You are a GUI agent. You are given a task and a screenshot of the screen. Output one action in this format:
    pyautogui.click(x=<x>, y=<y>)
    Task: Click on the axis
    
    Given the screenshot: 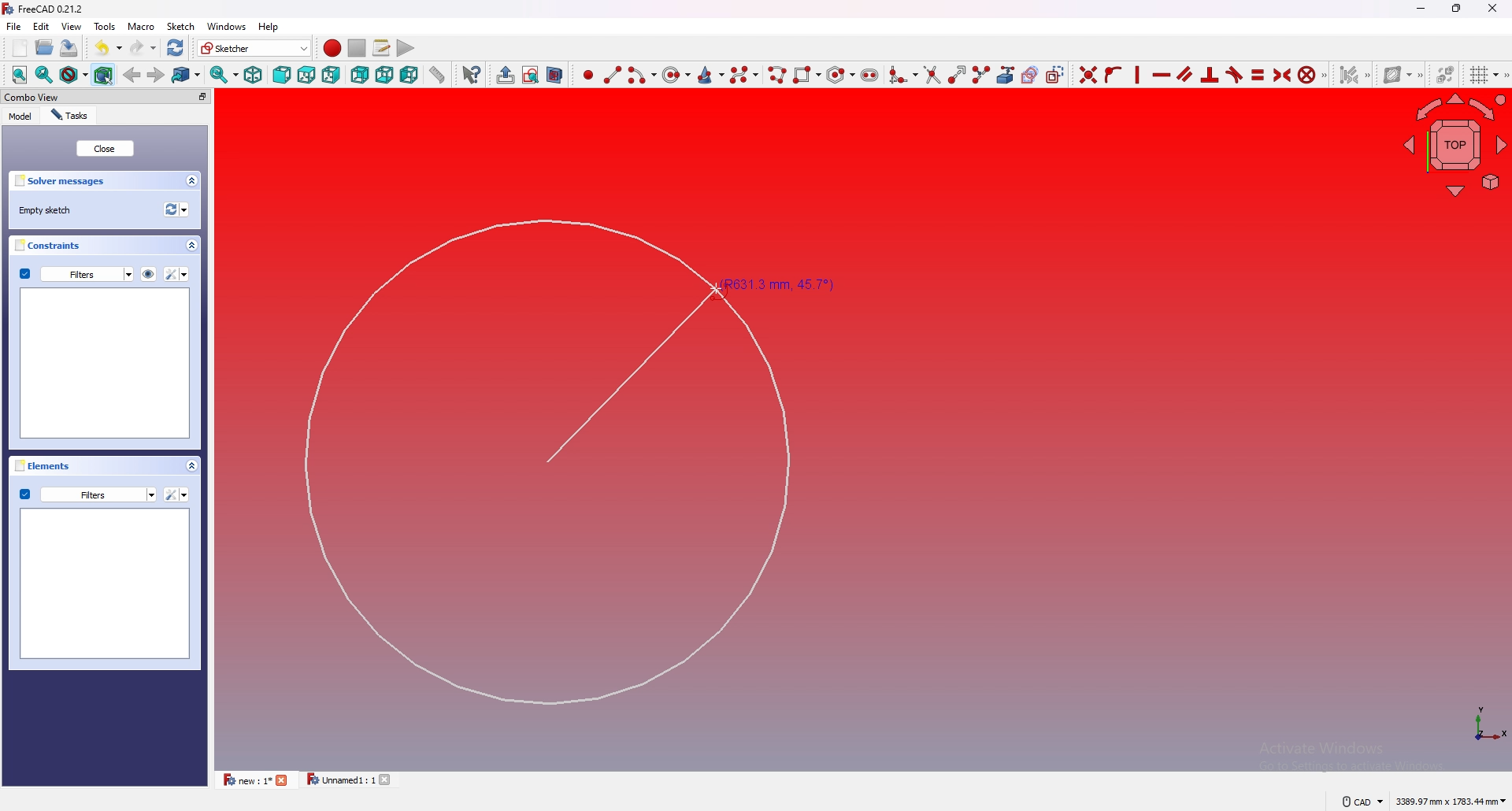 What is the action you would take?
    pyautogui.click(x=1482, y=724)
    